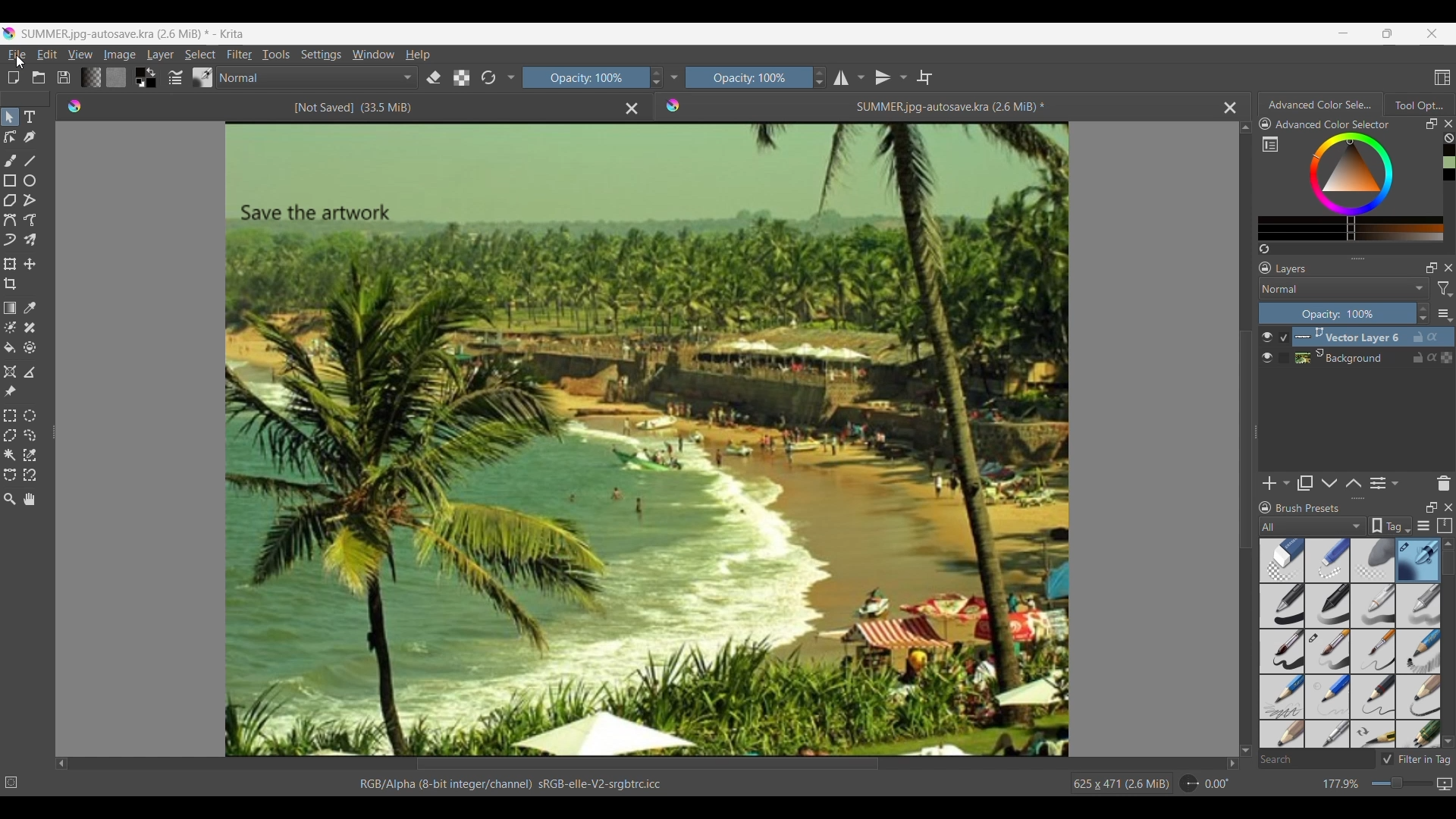 The height and width of the screenshot is (819, 1456). What do you see at coordinates (1308, 508) in the screenshot?
I see `Title of panel` at bounding box center [1308, 508].